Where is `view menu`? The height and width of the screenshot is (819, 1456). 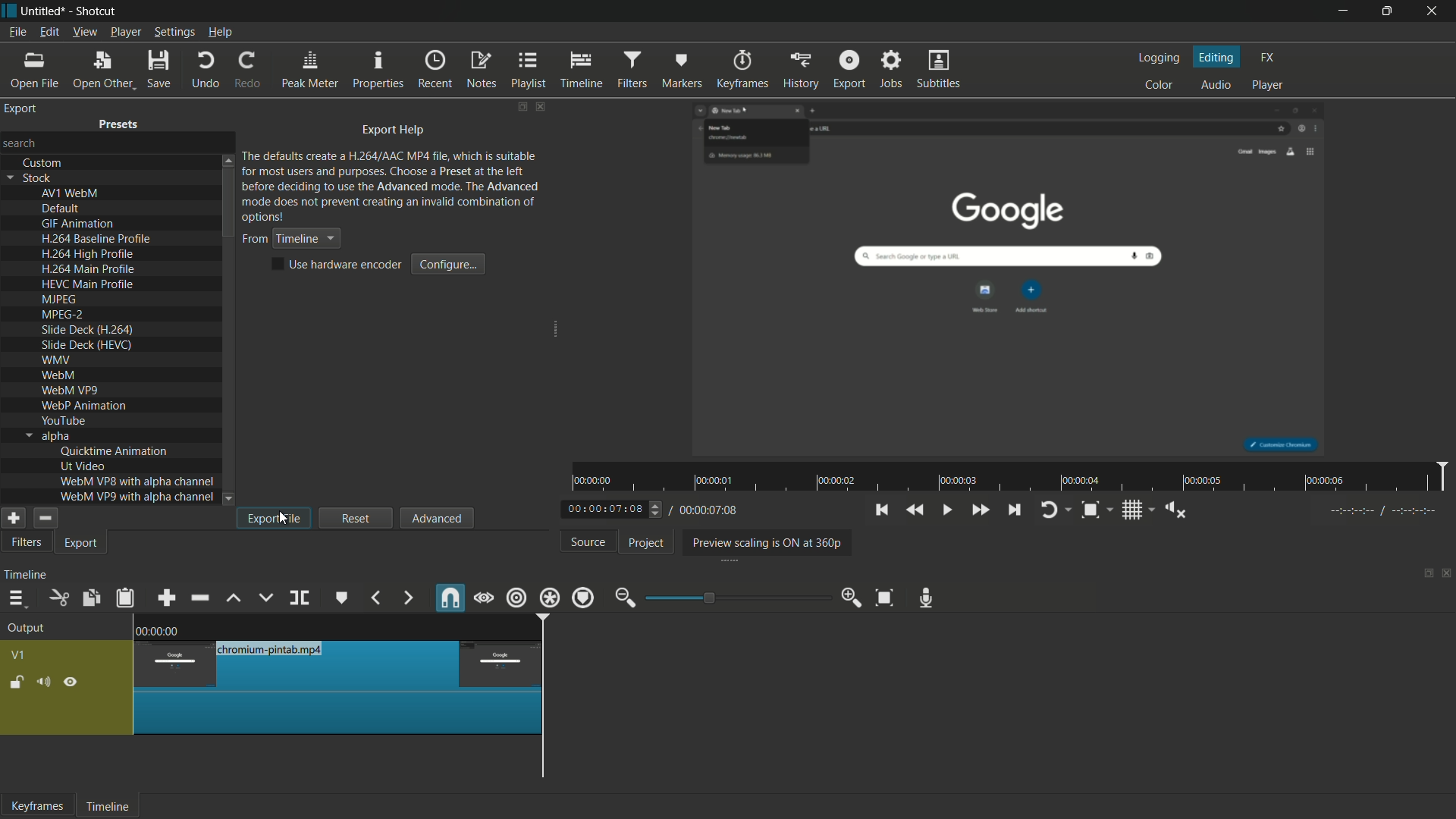 view menu is located at coordinates (83, 33).